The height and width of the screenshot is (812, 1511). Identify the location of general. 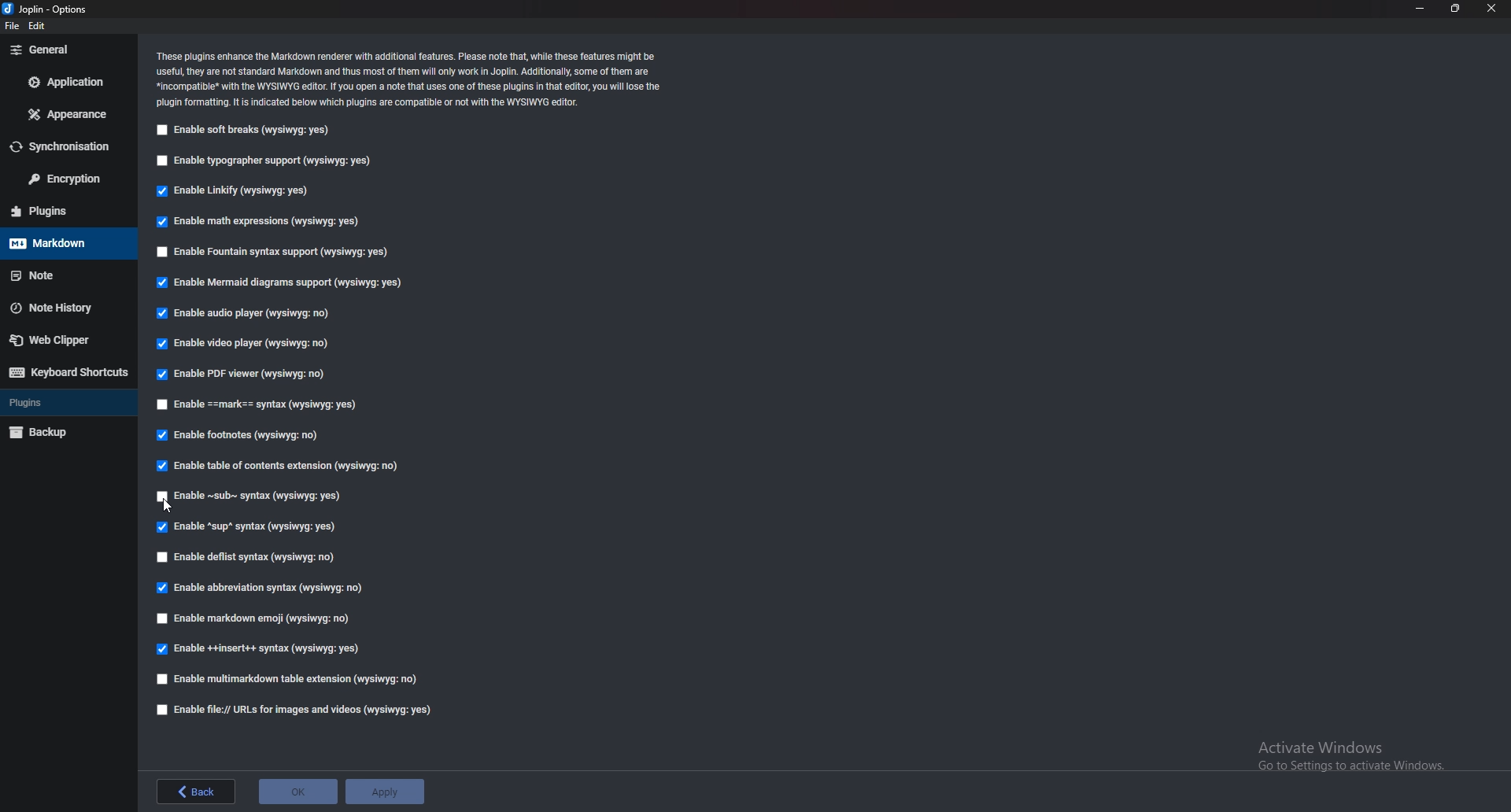
(68, 50).